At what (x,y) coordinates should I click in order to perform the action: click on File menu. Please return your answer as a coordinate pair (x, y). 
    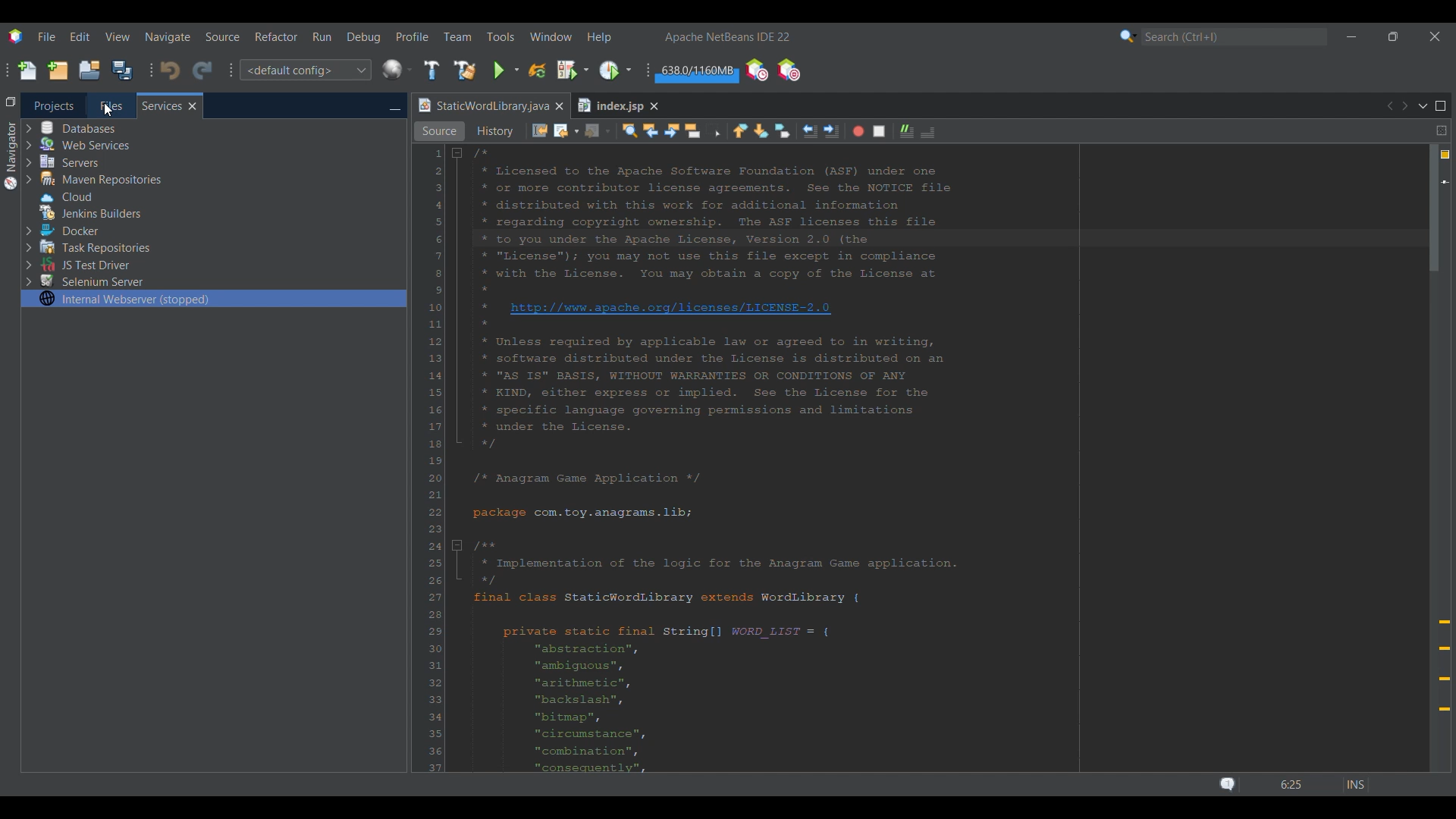
    Looking at the image, I should click on (46, 36).